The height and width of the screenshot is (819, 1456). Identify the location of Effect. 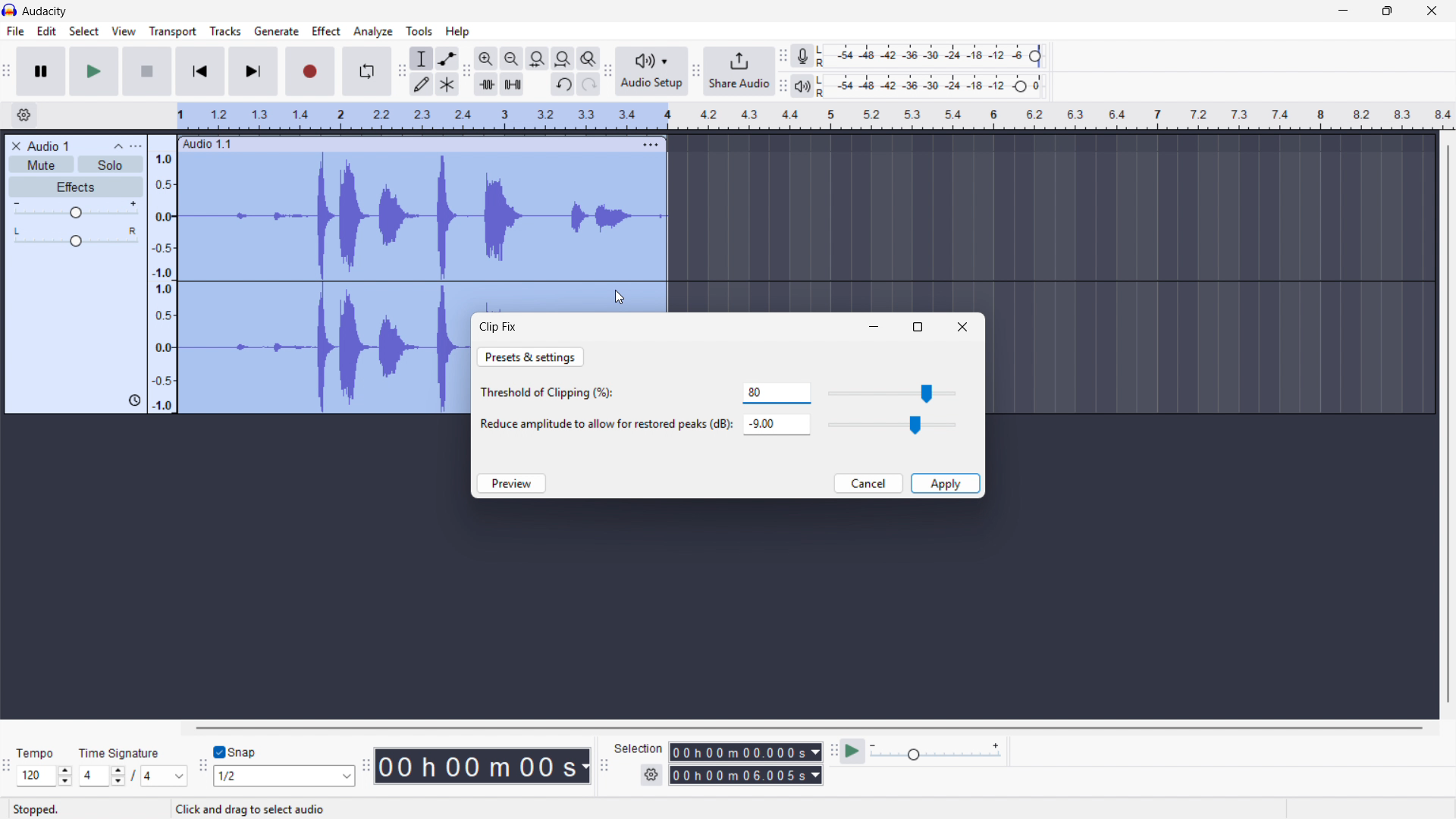
(327, 32).